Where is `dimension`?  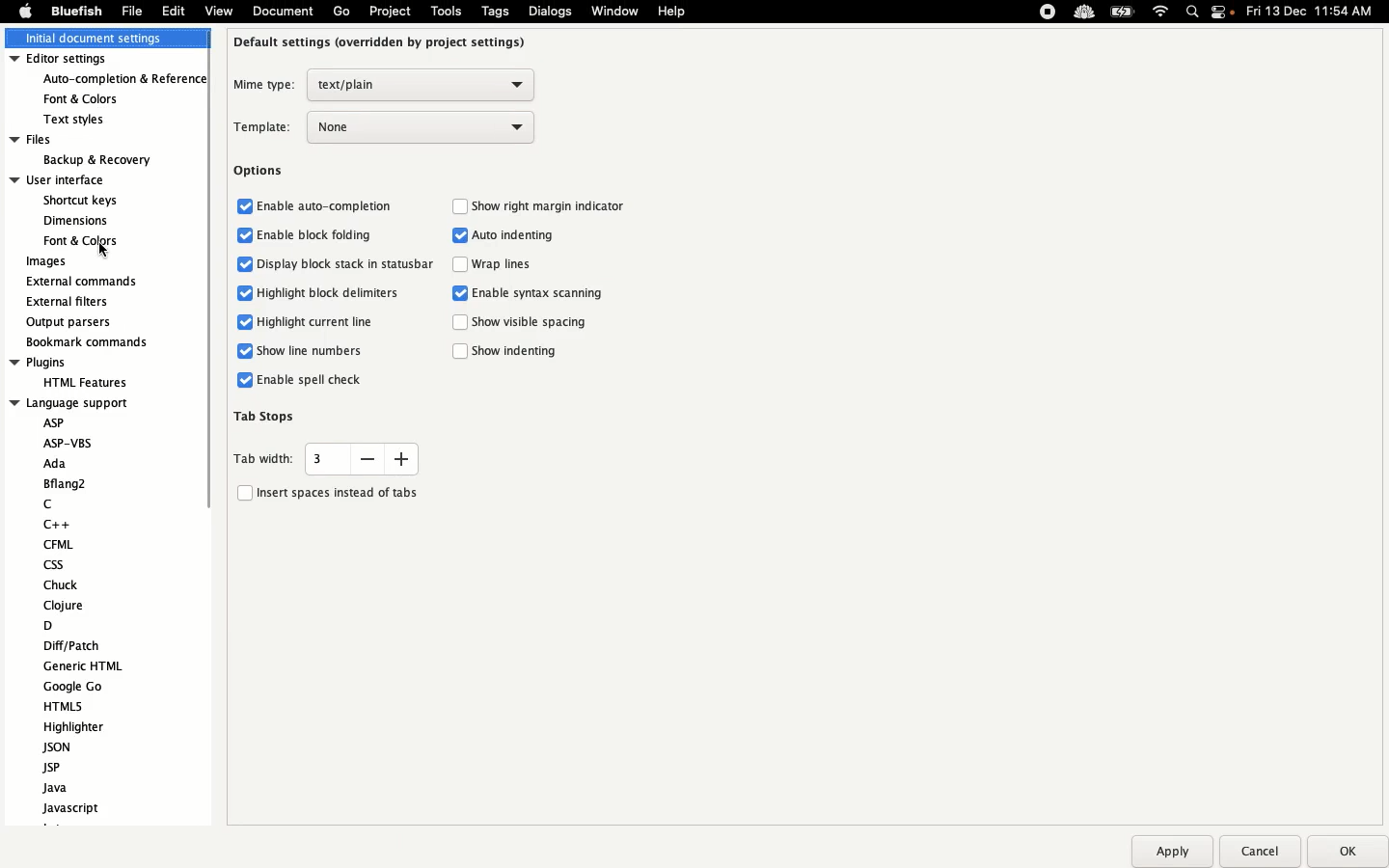
dimension is located at coordinates (75, 220).